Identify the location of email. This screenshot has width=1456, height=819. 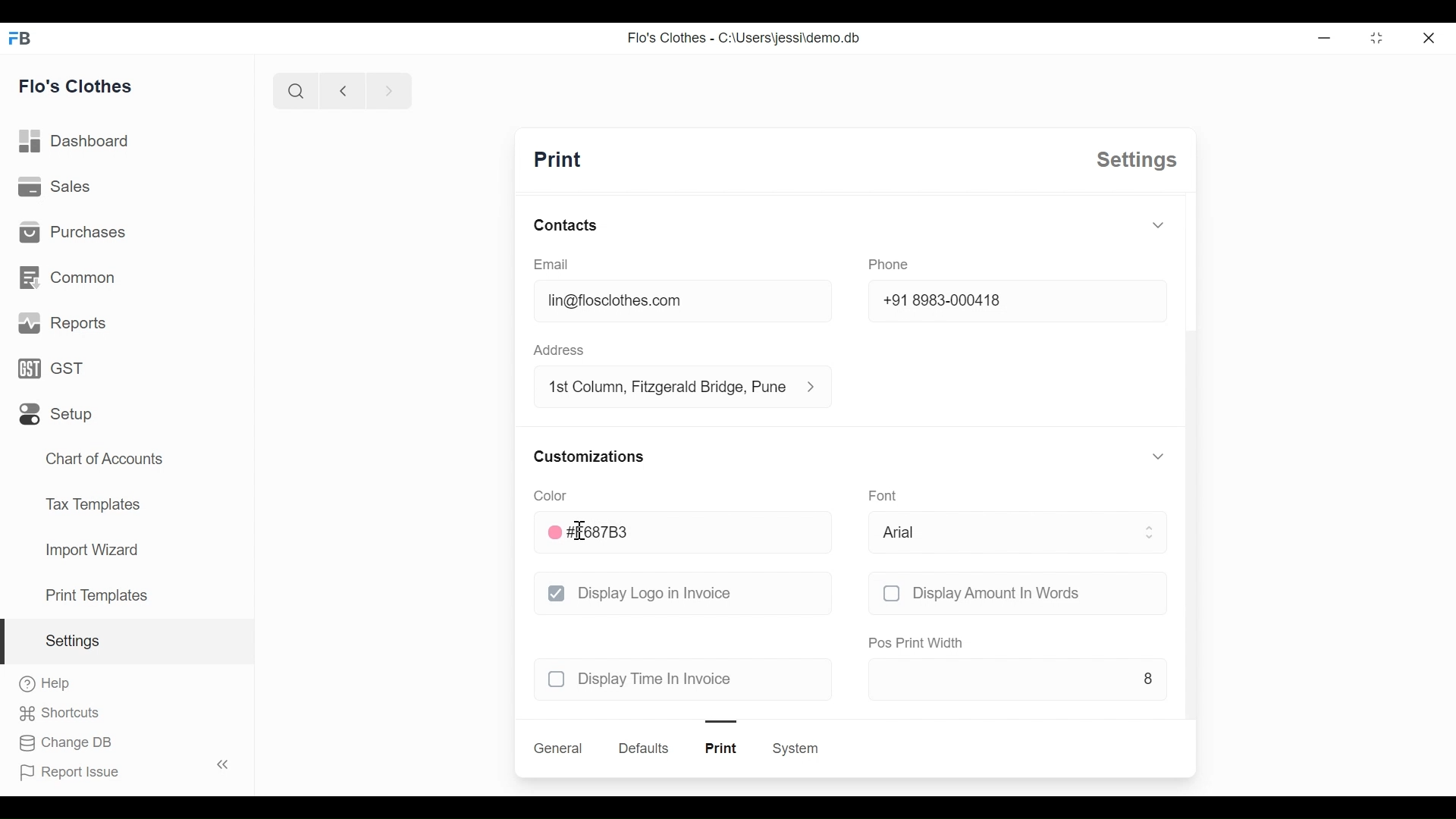
(553, 264).